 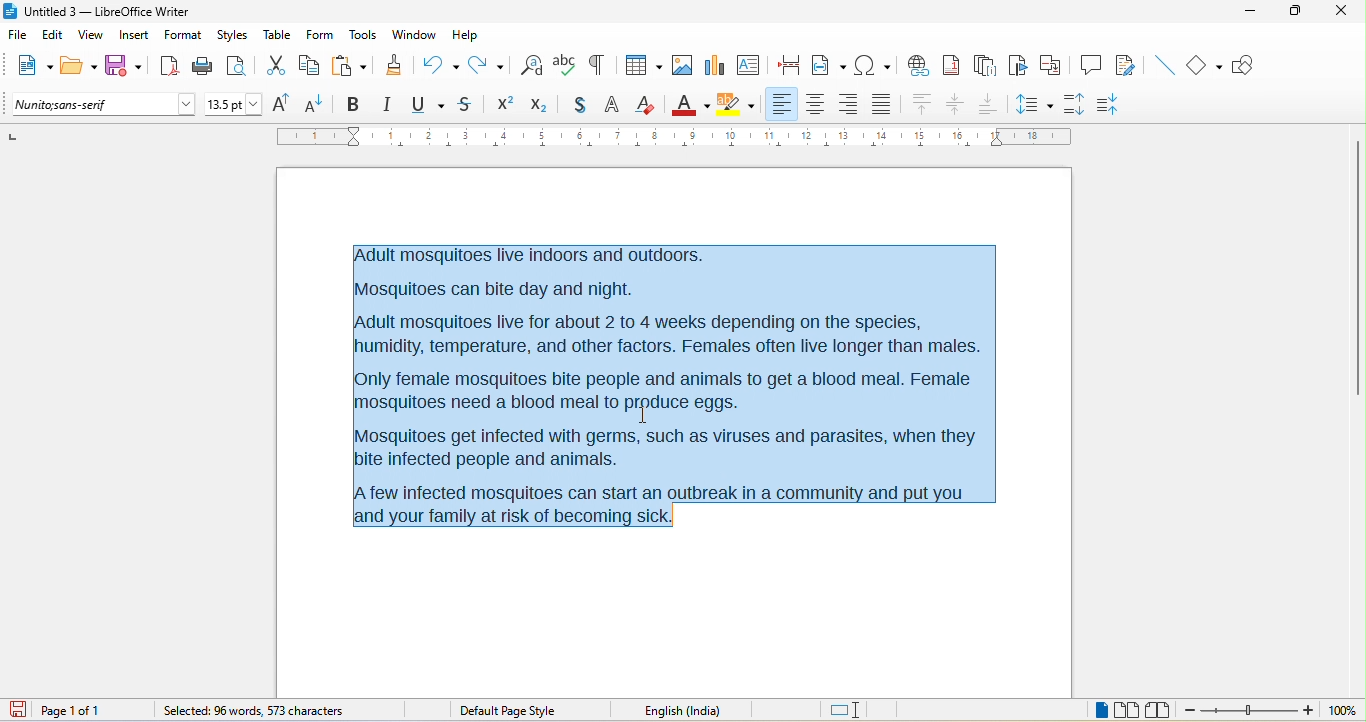 What do you see at coordinates (1092, 66) in the screenshot?
I see `comment` at bounding box center [1092, 66].